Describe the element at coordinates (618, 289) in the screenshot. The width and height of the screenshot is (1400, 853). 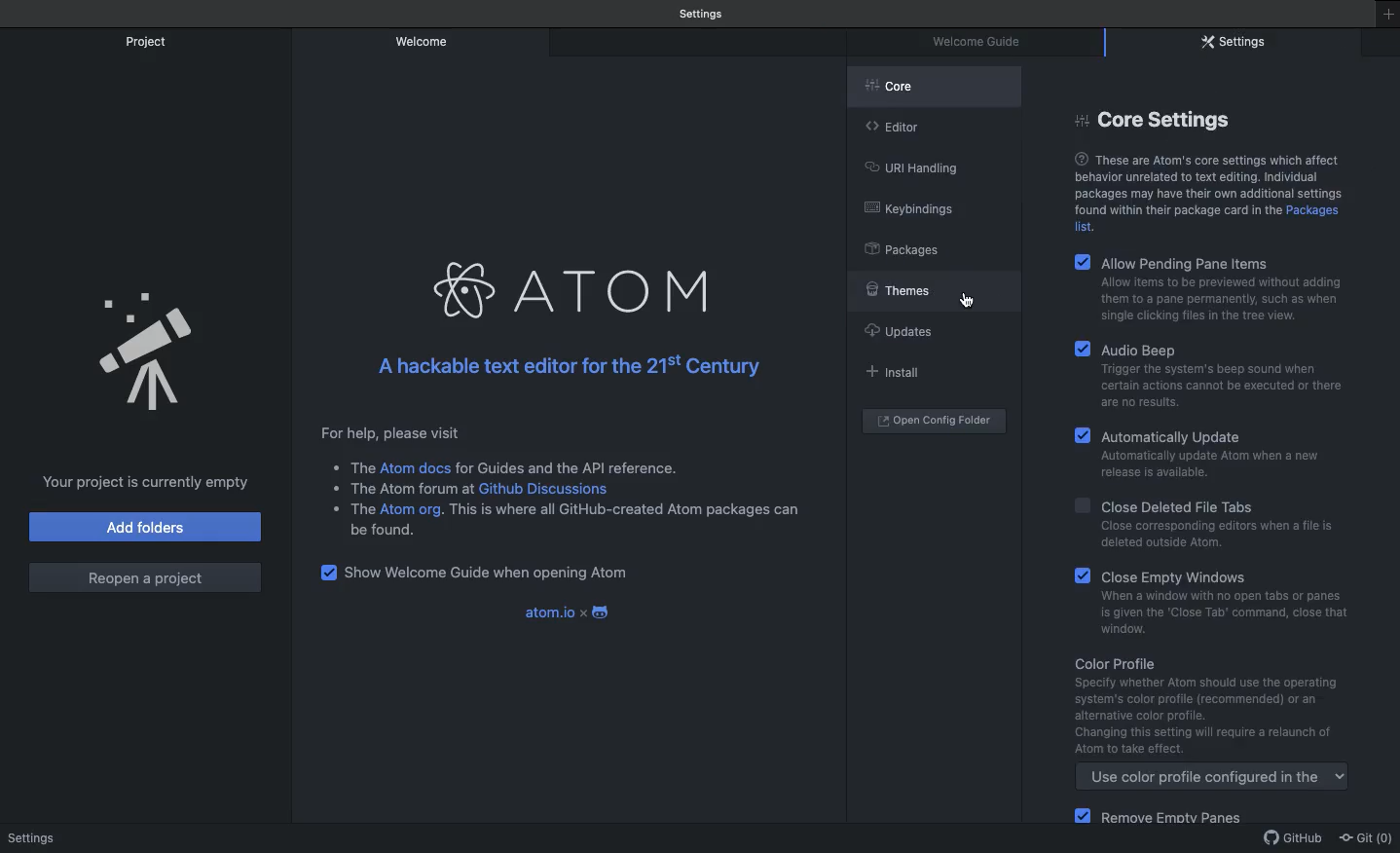
I see `Atom` at that location.